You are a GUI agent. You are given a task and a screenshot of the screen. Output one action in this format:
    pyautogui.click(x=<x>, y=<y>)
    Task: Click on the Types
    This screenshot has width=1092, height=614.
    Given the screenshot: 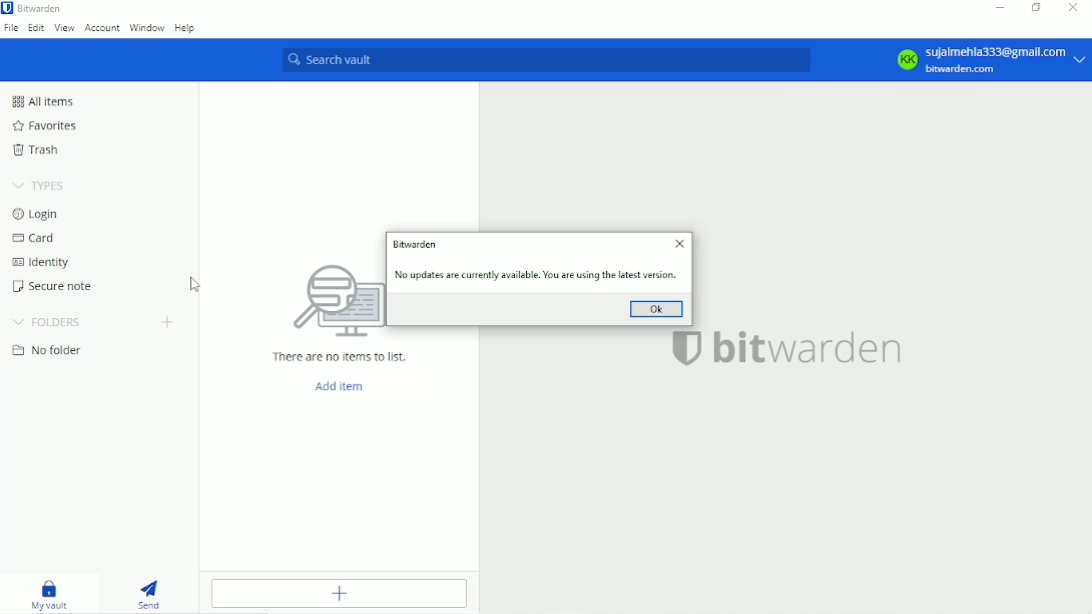 What is the action you would take?
    pyautogui.click(x=36, y=184)
    